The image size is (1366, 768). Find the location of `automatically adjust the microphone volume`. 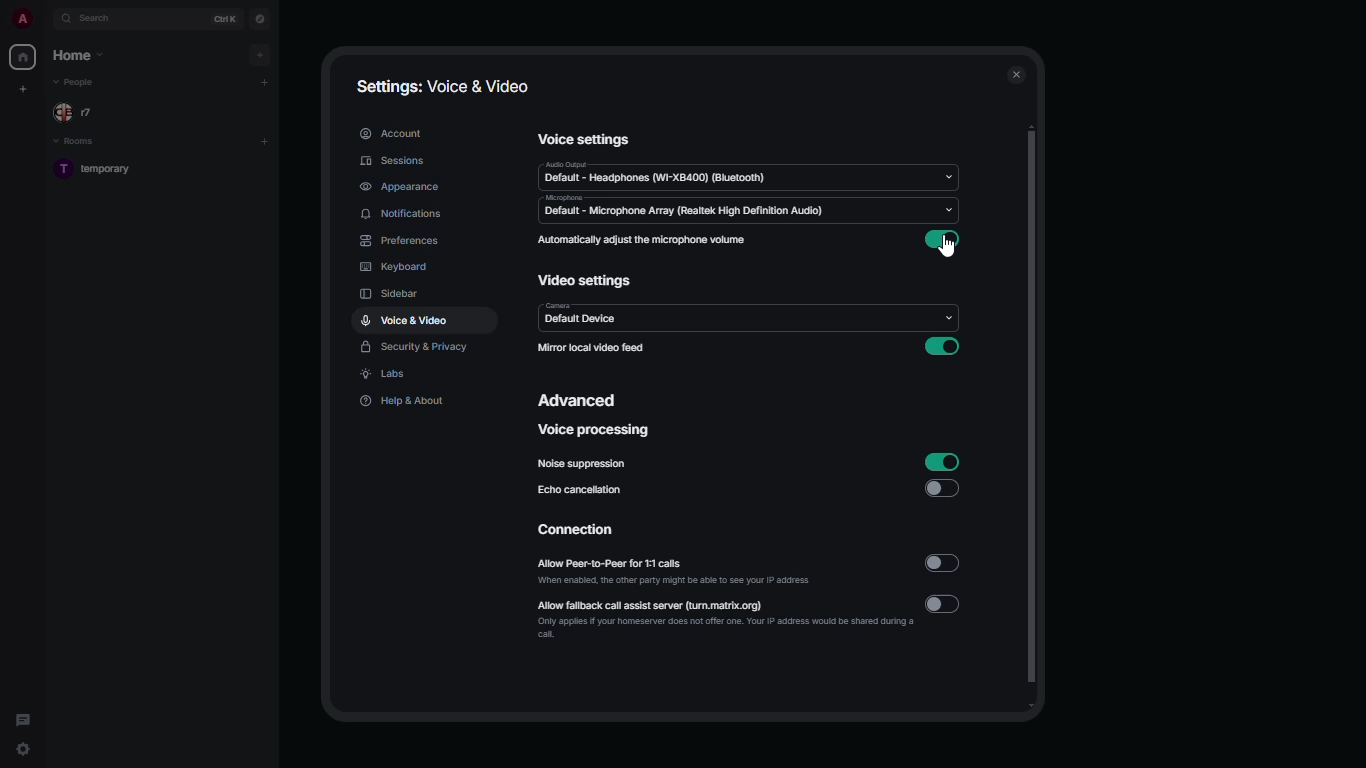

automatically adjust the microphone volume is located at coordinates (646, 239).